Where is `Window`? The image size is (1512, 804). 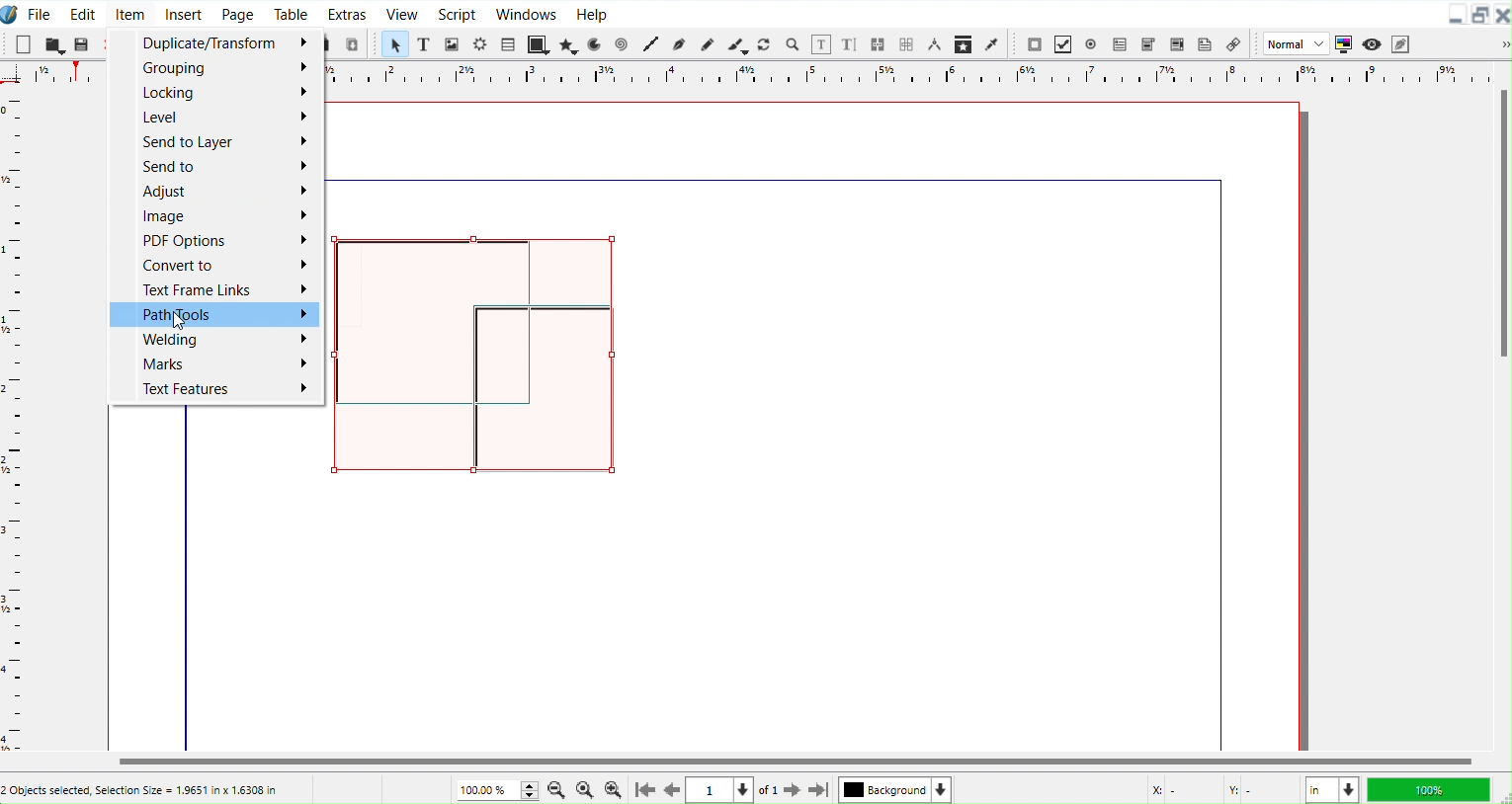 Window is located at coordinates (527, 13).